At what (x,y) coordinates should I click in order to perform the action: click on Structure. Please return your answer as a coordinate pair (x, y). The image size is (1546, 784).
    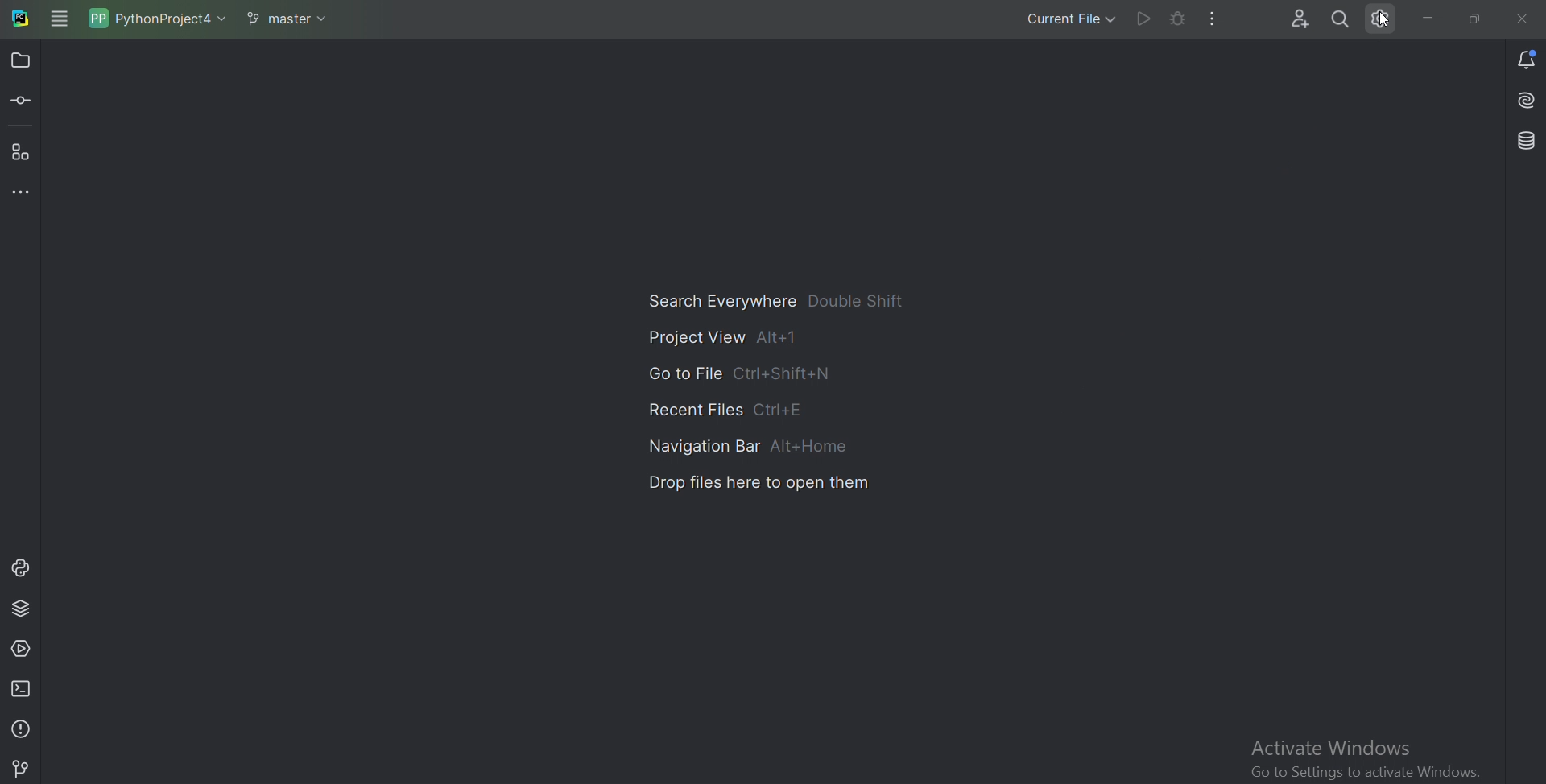
    Looking at the image, I should click on (25, 151).